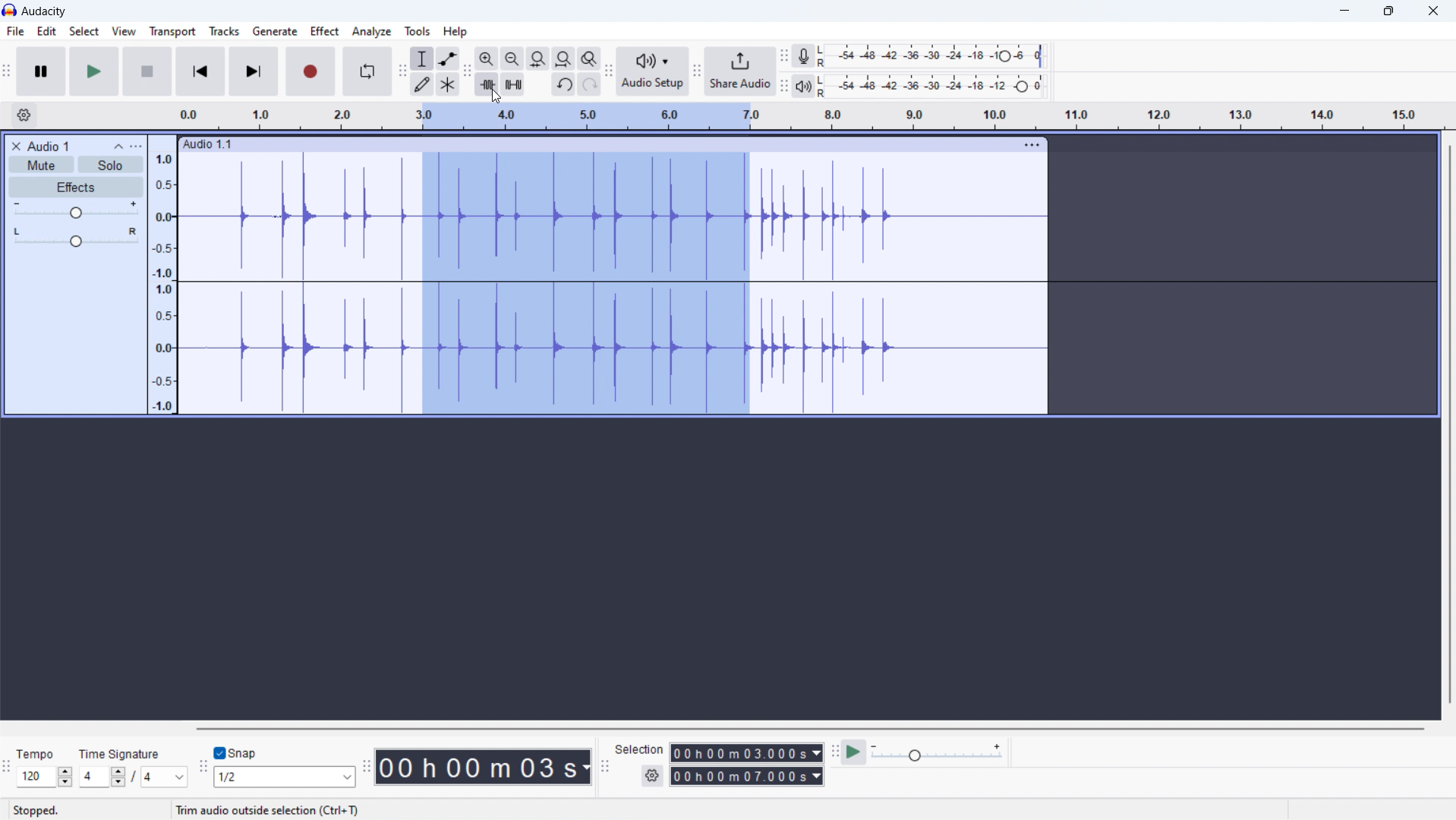 The image size is (1456, 820). What do you see at coordinates (39, 752) in the screenshot?
I see `Tempo` at bounding box center [39, 752].